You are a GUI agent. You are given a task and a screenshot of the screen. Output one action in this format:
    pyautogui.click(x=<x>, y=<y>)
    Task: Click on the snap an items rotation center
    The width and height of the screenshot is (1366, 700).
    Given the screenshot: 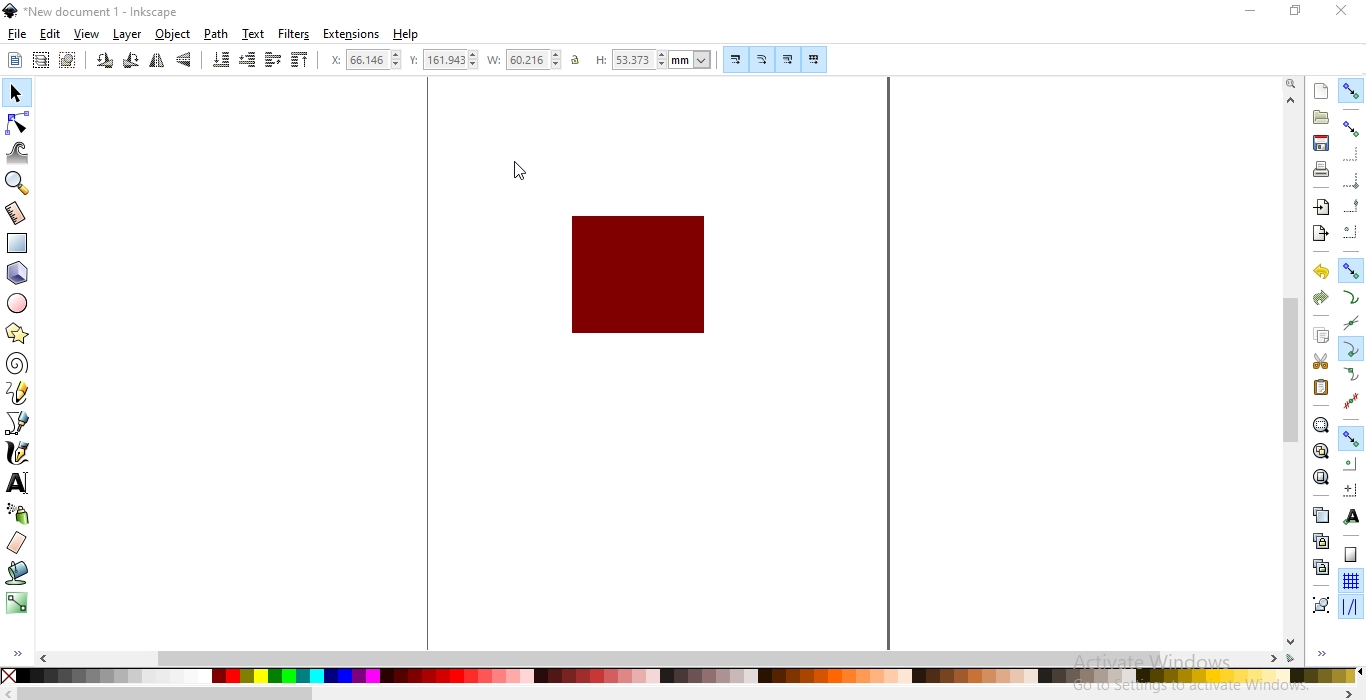 What is the action you would take?
    pyautogui.click(x=1349, y=487)
    